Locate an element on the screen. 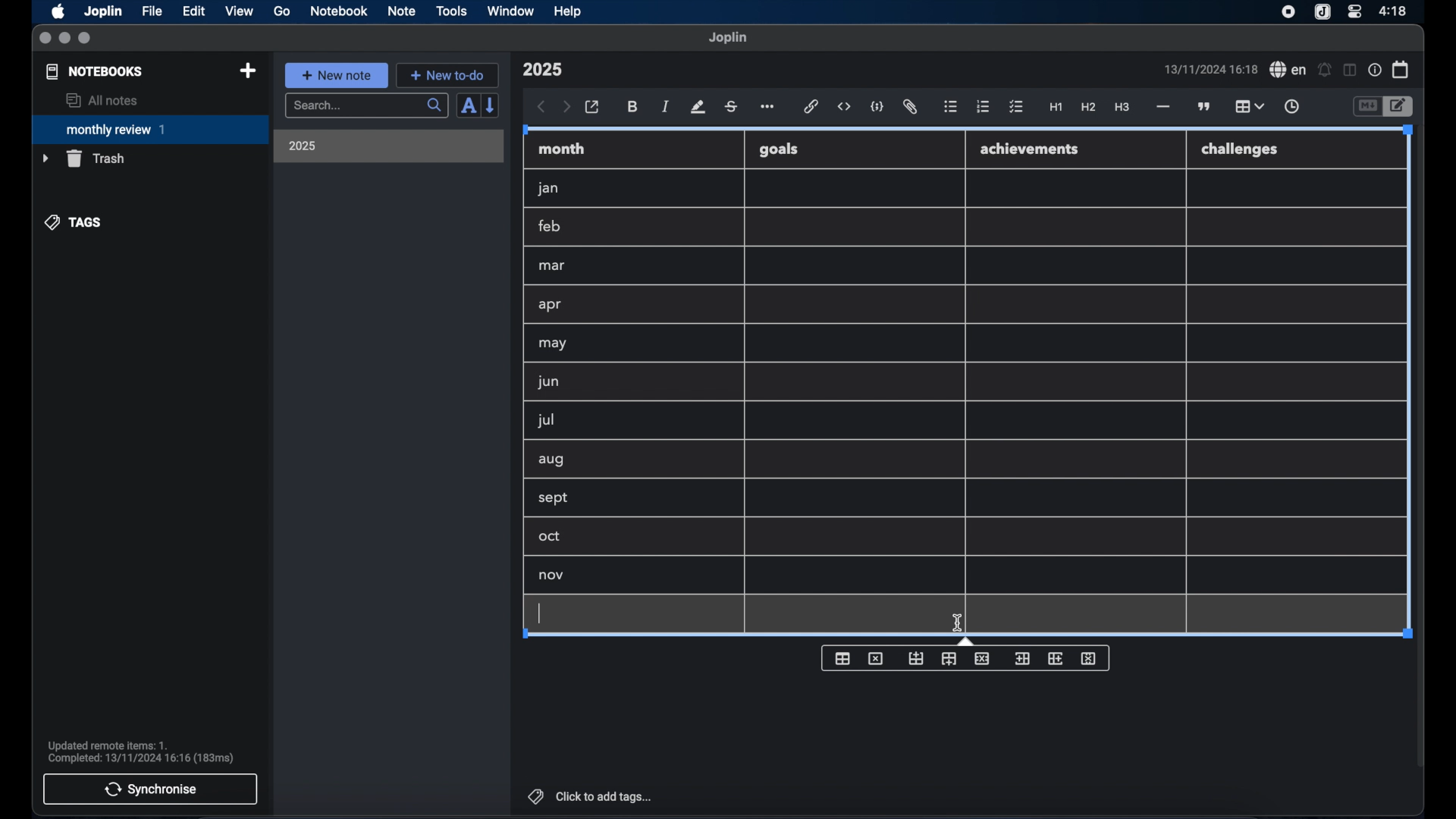 The height and width of the screenshot is (819, 1456). minimize is located at coordinates (64, 39).